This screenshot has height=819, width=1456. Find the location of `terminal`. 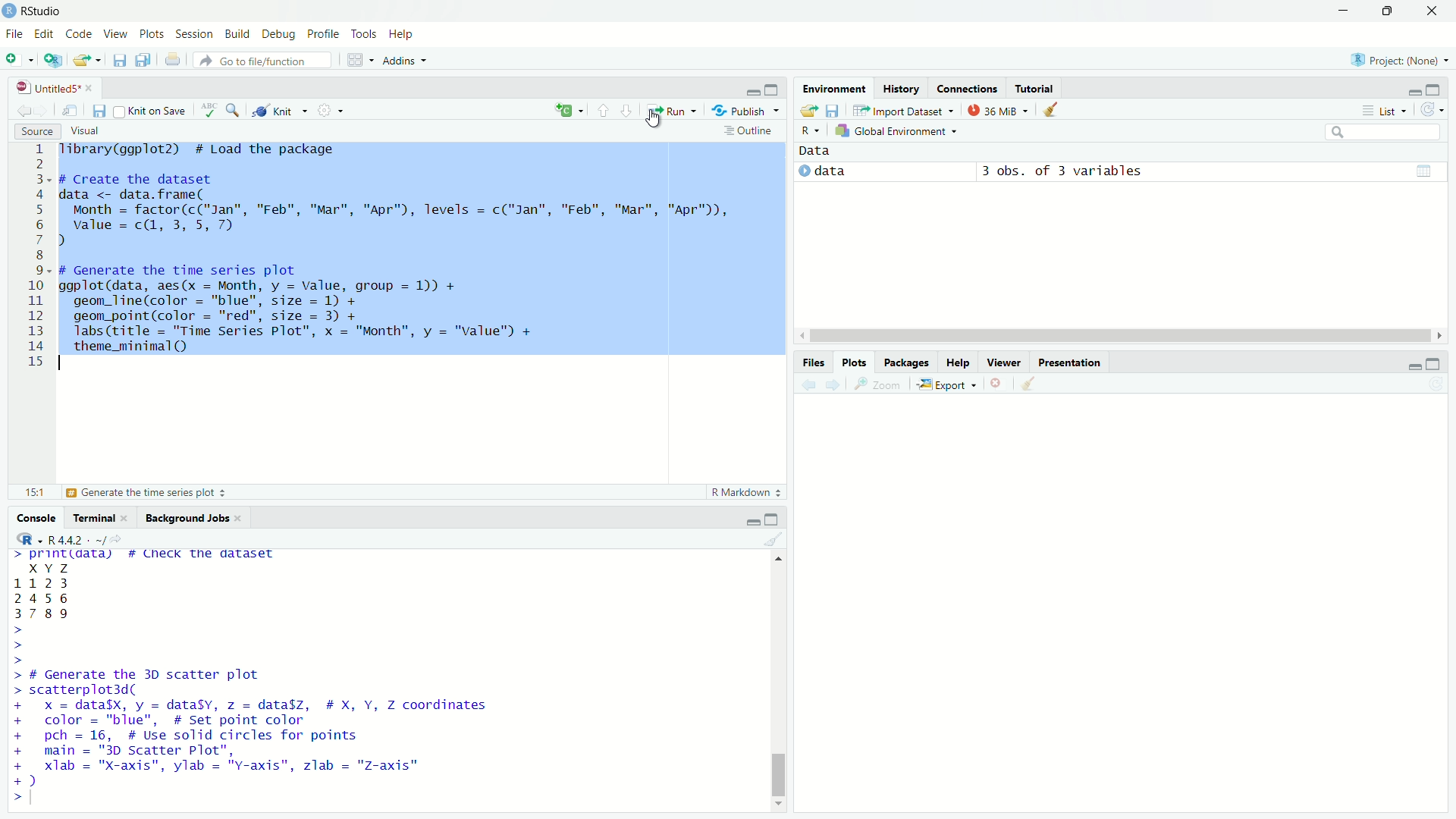

terminal is located at coordinates (91, 516).